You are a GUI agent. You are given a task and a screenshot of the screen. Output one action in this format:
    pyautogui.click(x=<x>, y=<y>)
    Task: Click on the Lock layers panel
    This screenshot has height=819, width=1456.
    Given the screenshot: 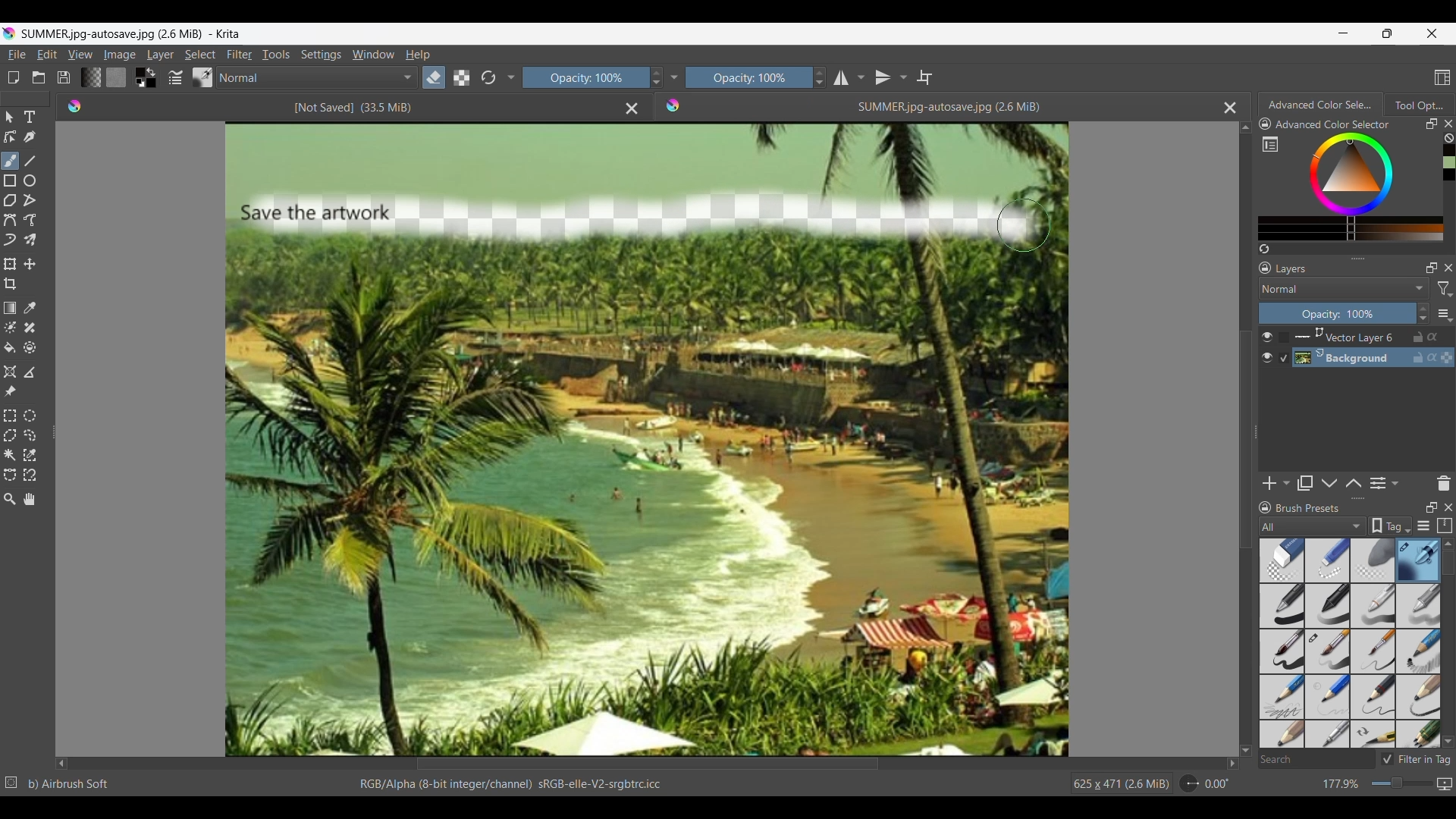 What is the action you would take?
    pyautogui.click(x=1265, y=268)
    